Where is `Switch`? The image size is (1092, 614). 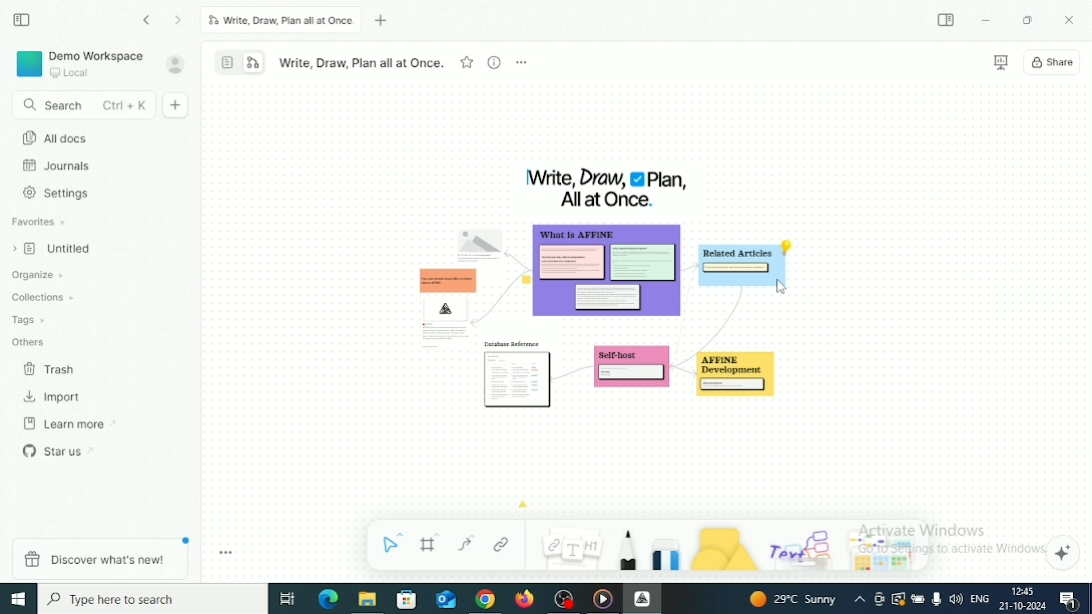
Switch is located at coordinates (240, 61).